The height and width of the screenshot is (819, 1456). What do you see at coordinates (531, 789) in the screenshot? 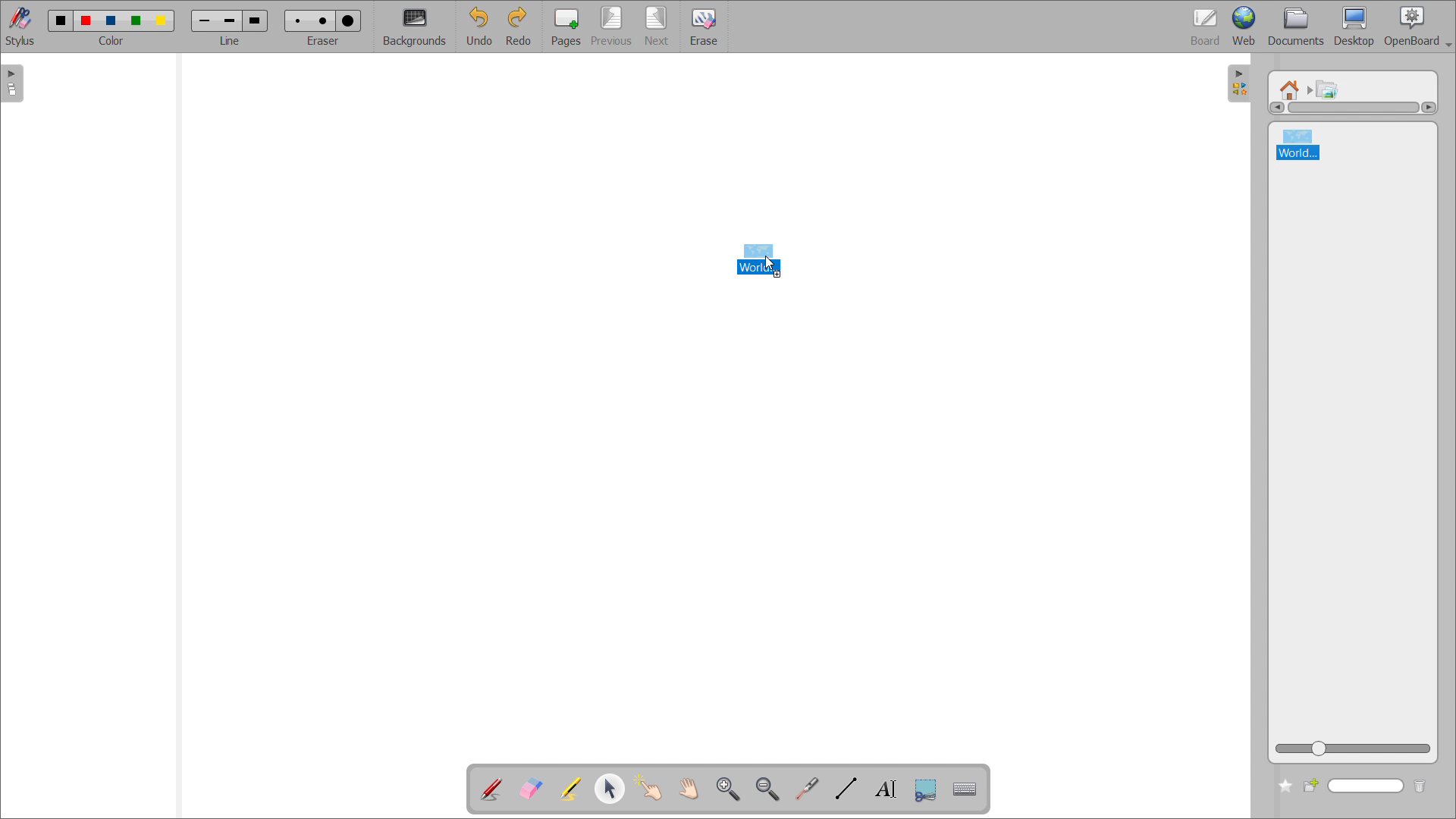
I see `erase annotation` at bounding box center [531, 789].